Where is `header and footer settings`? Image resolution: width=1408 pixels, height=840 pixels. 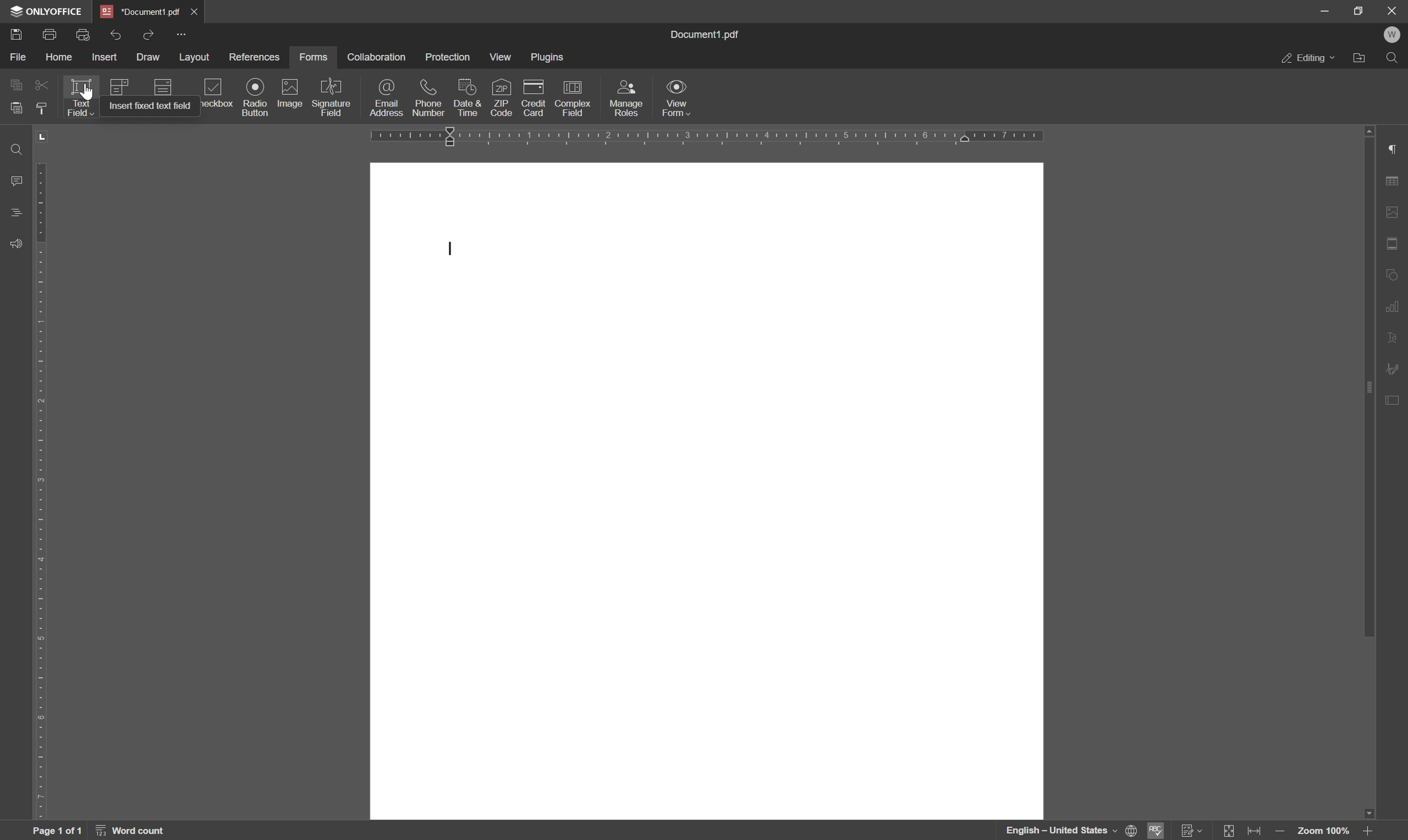
header and footer settings is located at coordinates (1392, 242).